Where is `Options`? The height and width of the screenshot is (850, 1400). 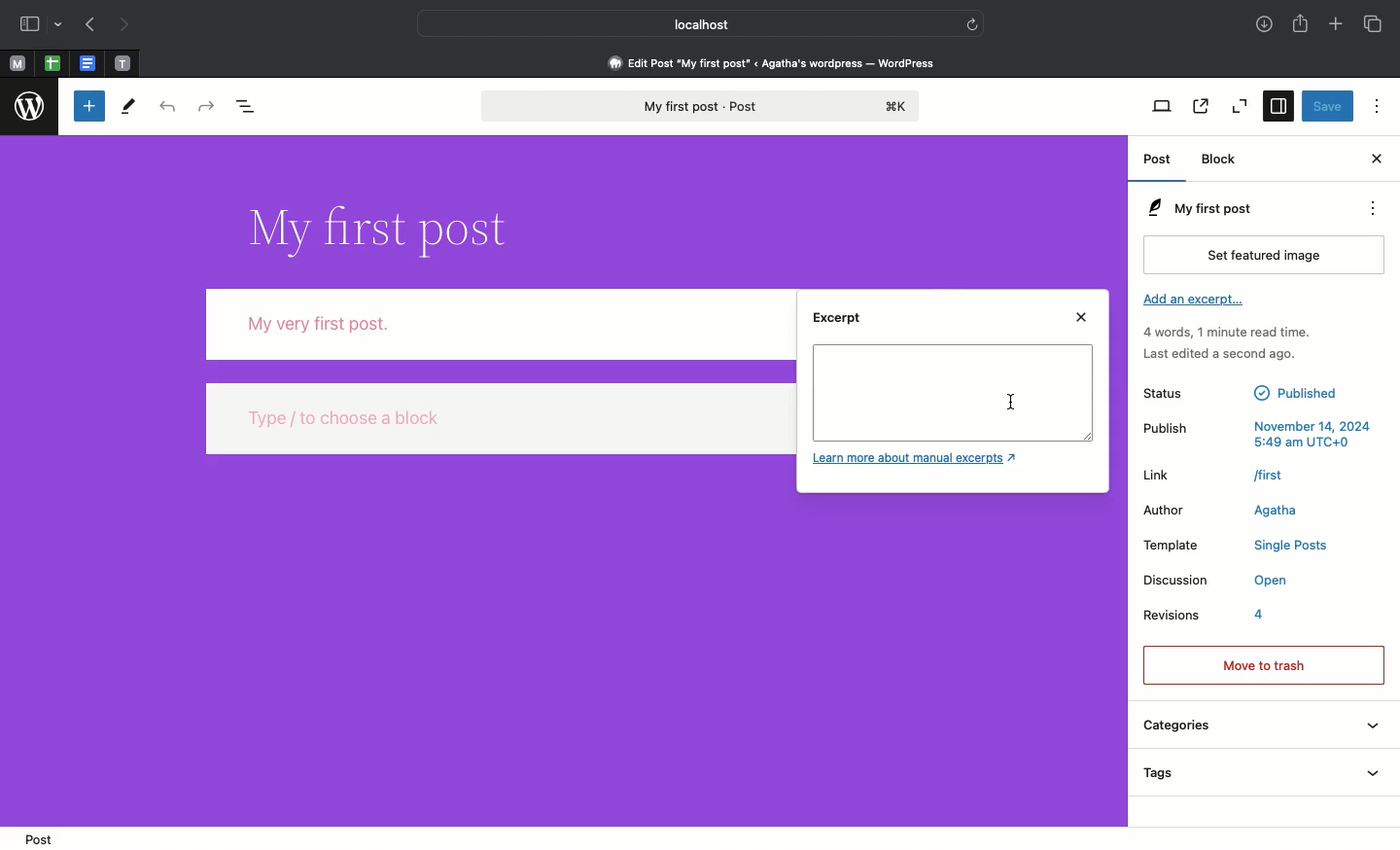 Options is located at coordinates (1374, 106).